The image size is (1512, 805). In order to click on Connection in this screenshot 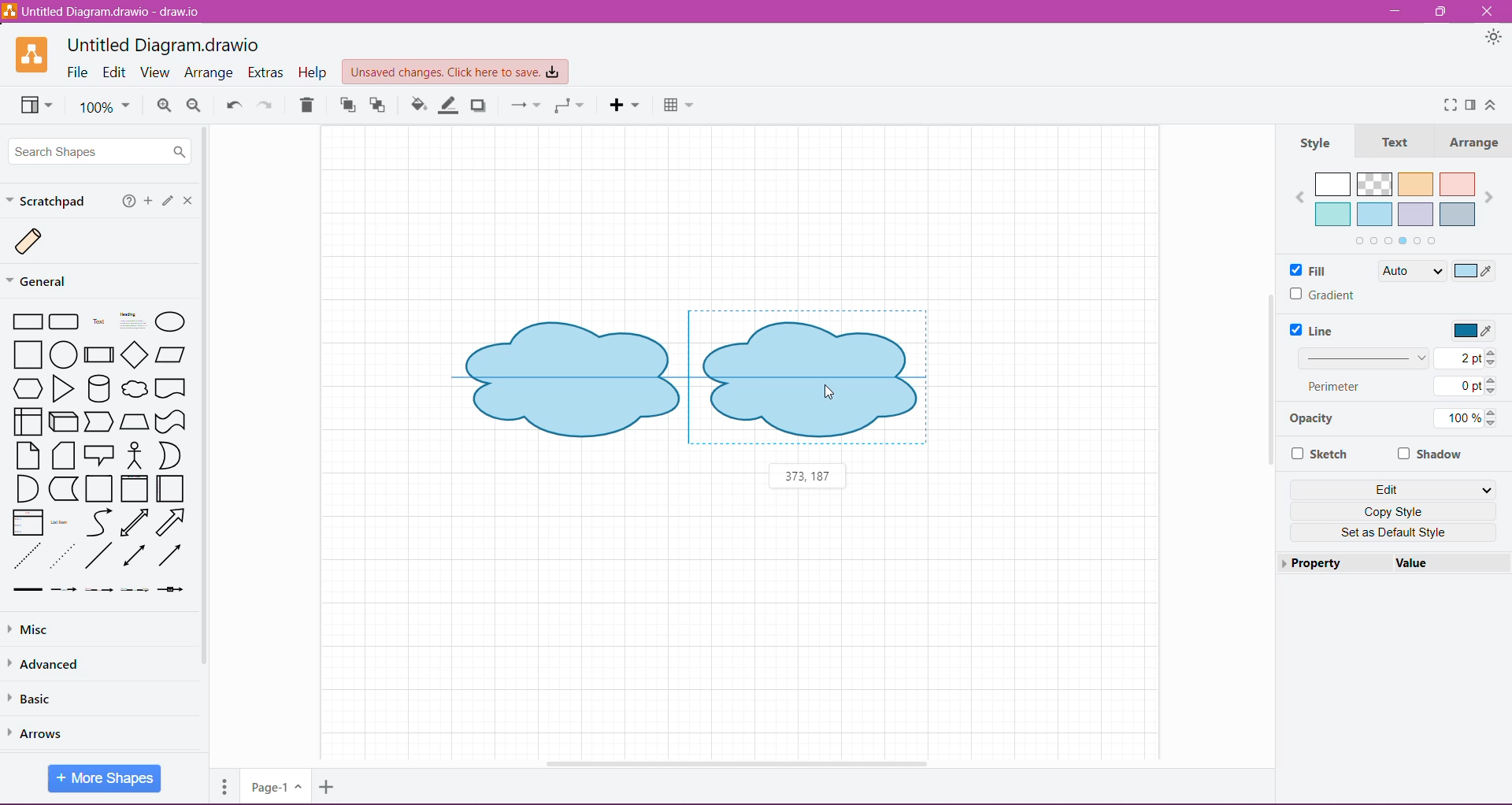, I will do `click(524, 106)`.